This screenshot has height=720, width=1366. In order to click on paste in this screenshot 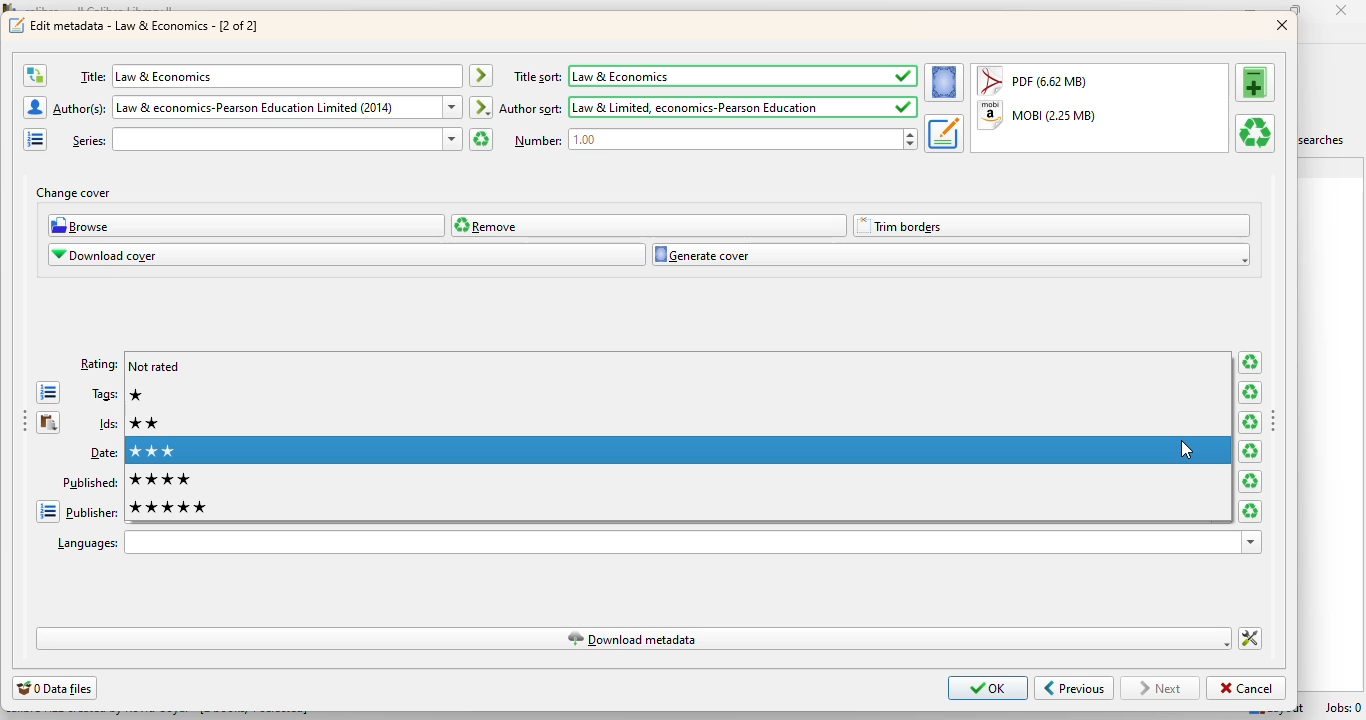, I will do `click(49, 423)`.